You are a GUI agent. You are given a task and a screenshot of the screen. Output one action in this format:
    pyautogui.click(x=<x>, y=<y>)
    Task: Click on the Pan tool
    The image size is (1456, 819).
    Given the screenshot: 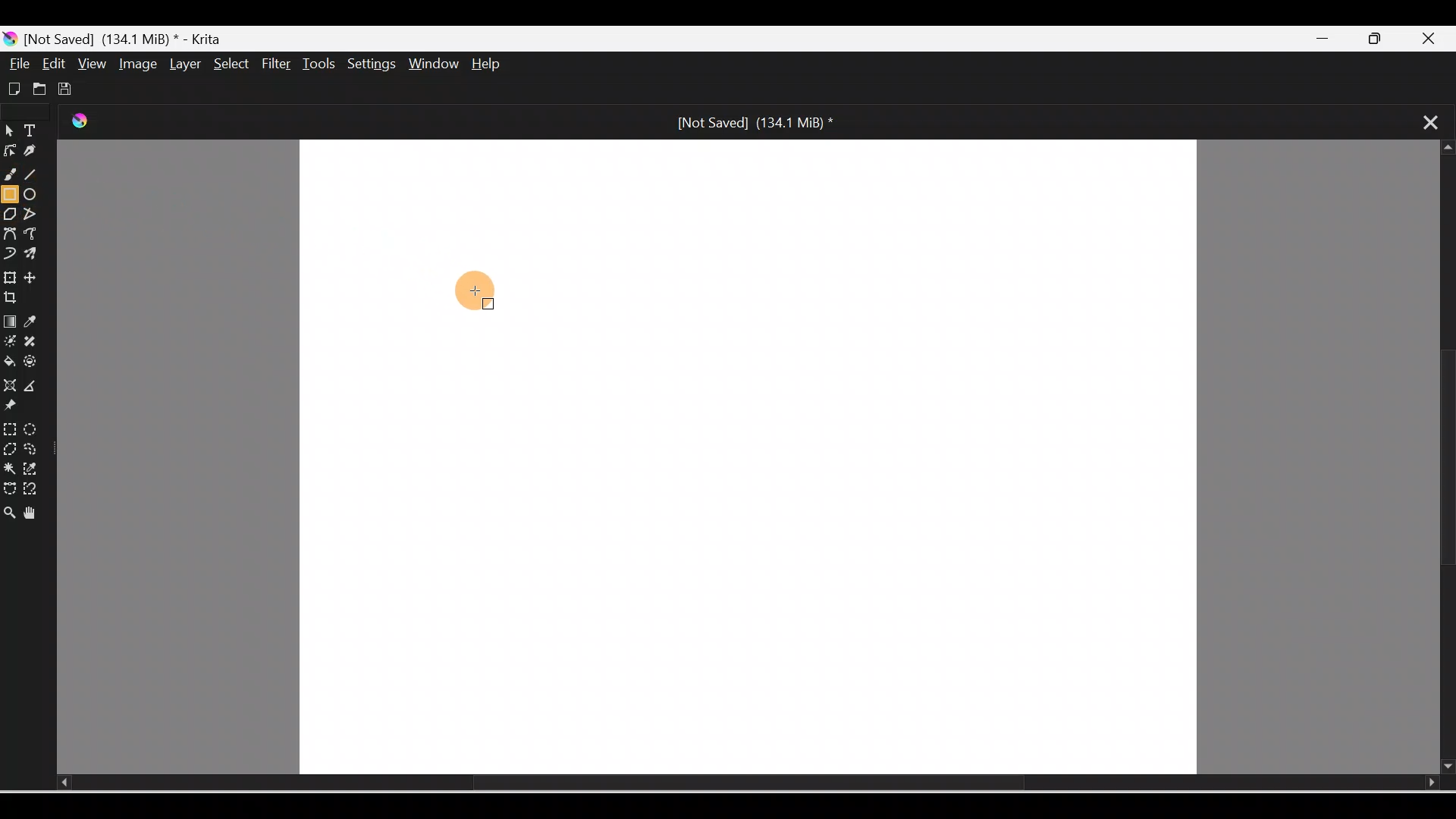 What is the action you would take?
    pyautogui.click(x=33, y=510)
    